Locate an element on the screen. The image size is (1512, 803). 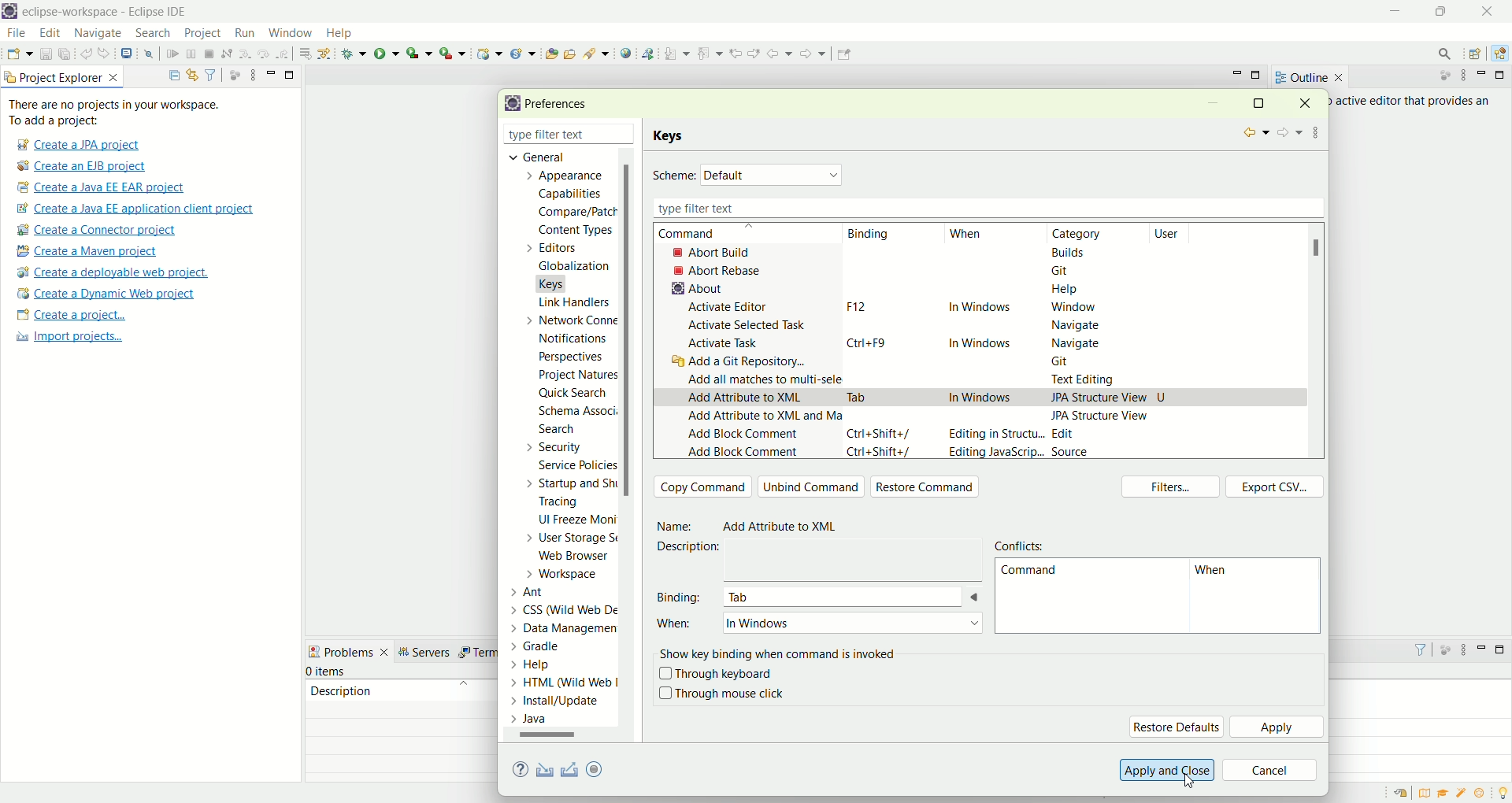
open perspective is located at coordinates (1477, 55).